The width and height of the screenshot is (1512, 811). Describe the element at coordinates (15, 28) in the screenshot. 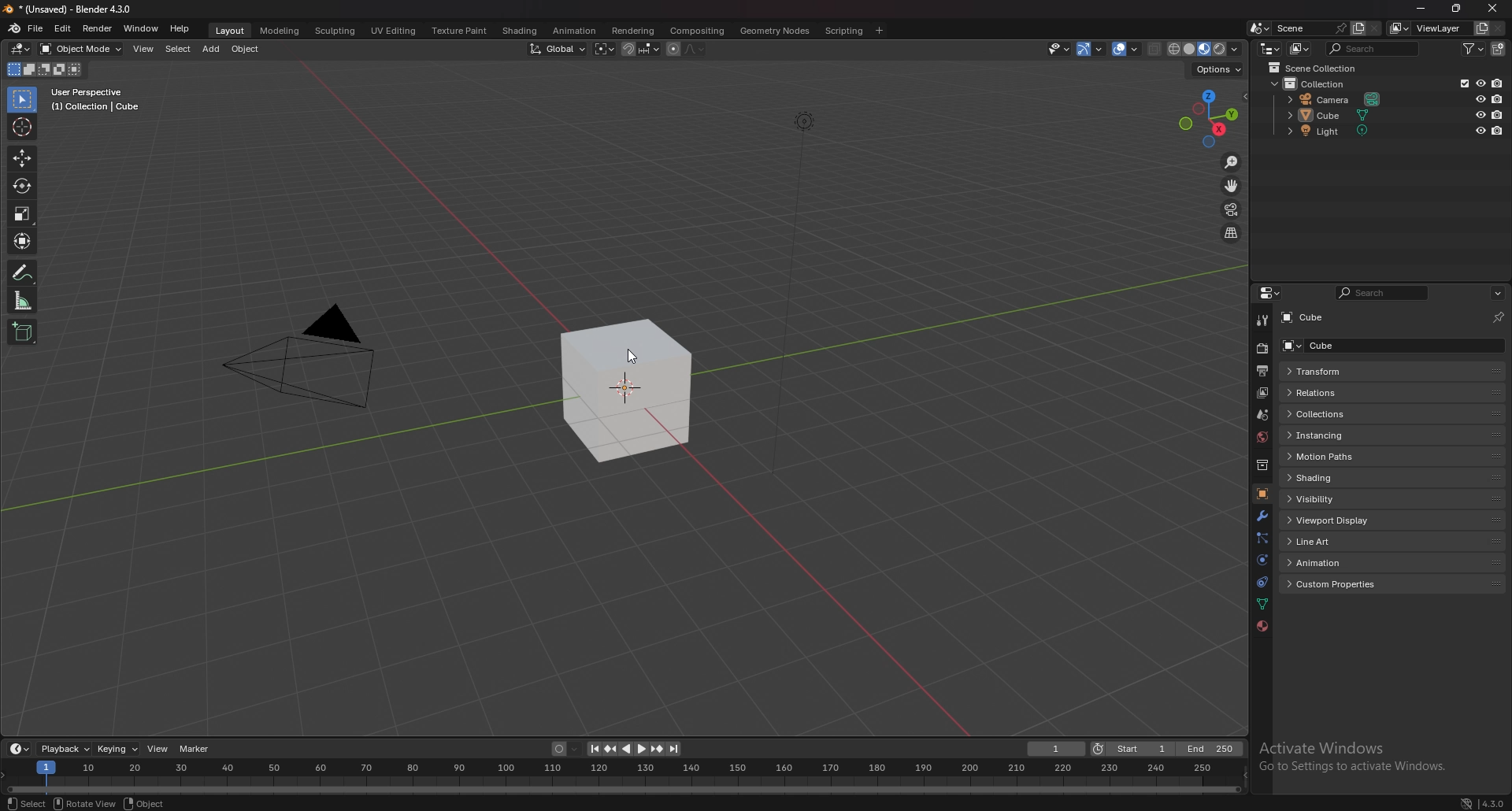

I see `blender` at that location.